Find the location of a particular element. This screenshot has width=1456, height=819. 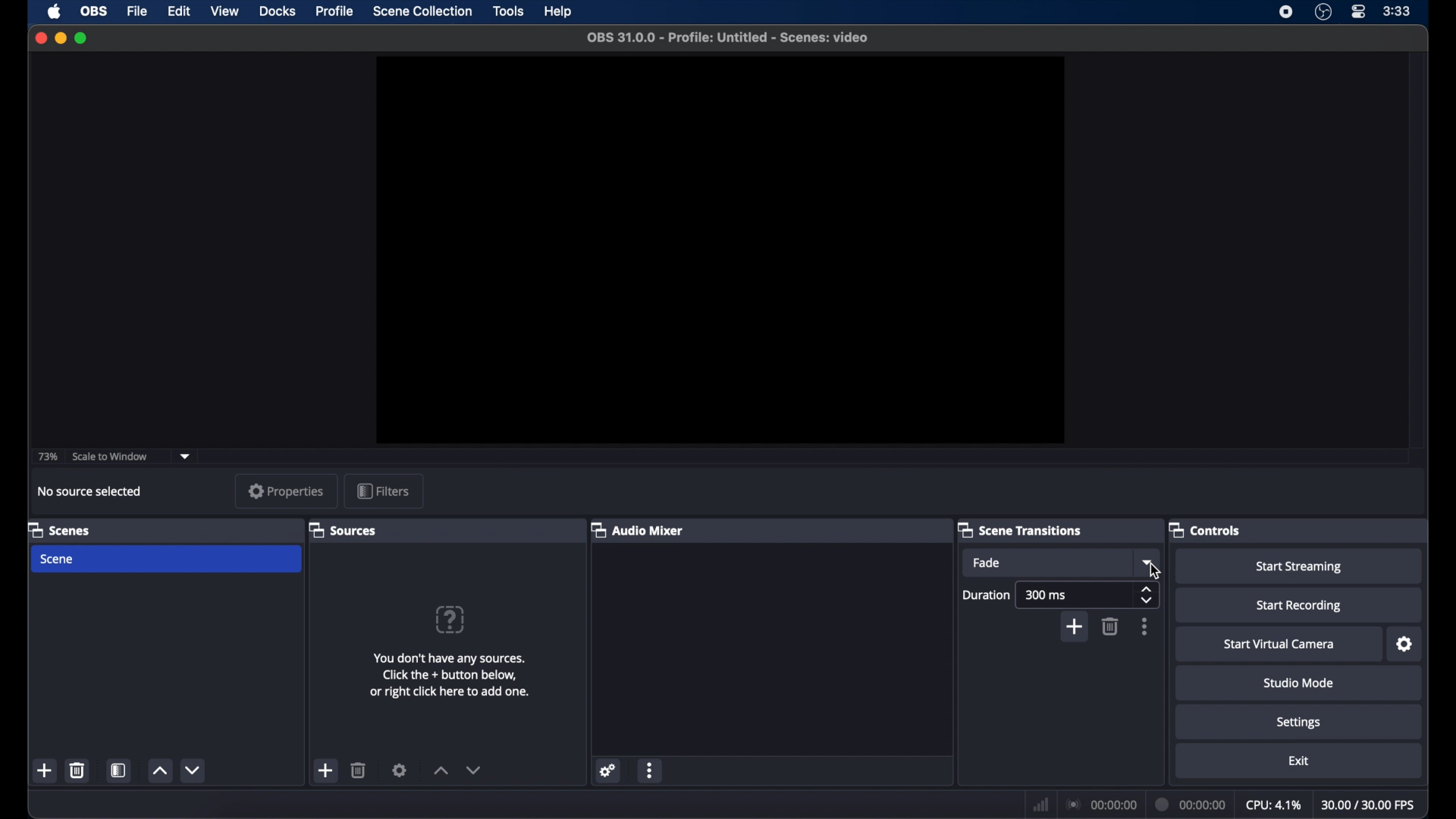

minimize is located at coordinates (60, 39).